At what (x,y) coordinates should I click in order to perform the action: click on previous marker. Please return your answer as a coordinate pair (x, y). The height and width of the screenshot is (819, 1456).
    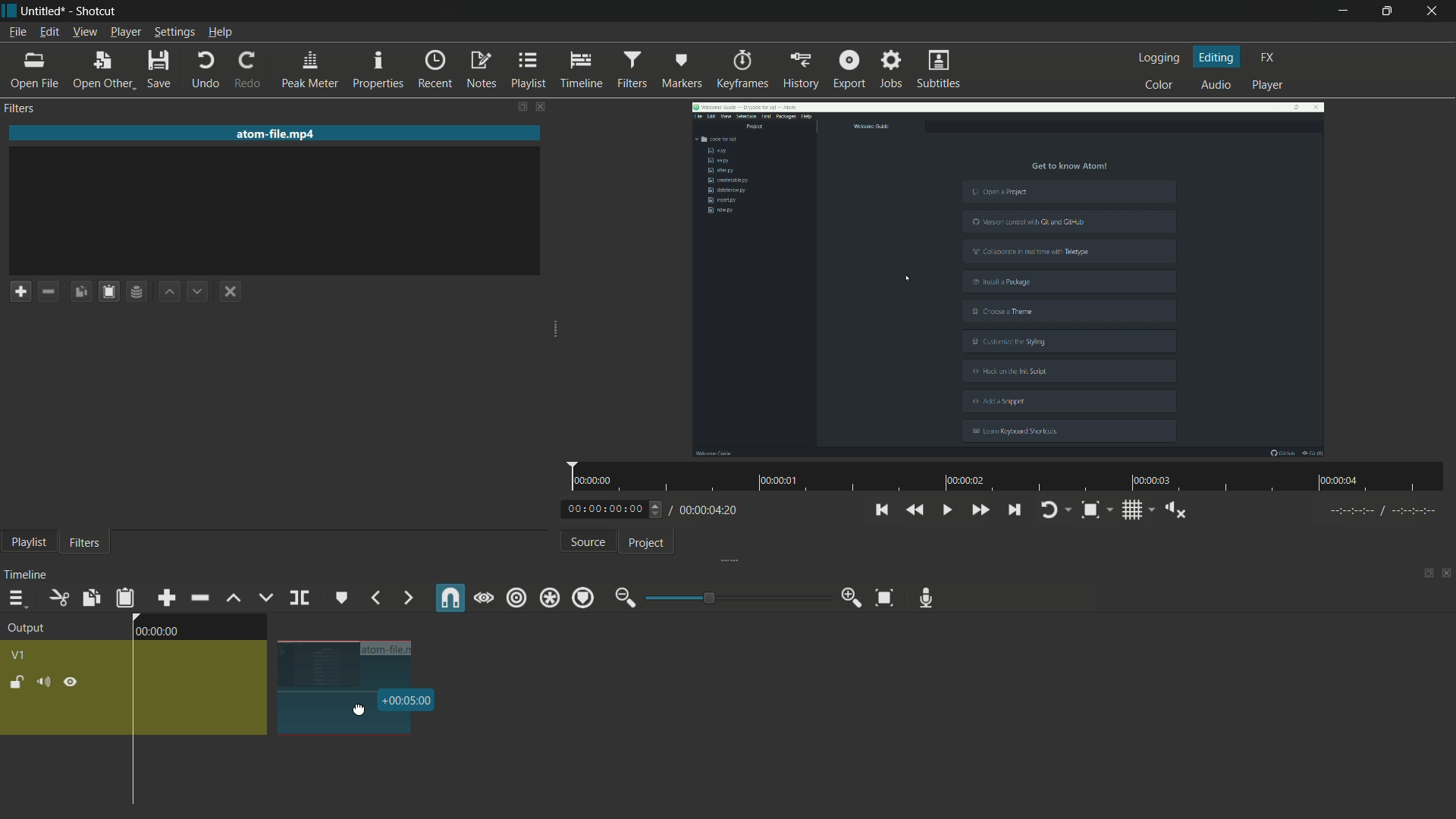
    Looking at the image, I should click on (375, 598).